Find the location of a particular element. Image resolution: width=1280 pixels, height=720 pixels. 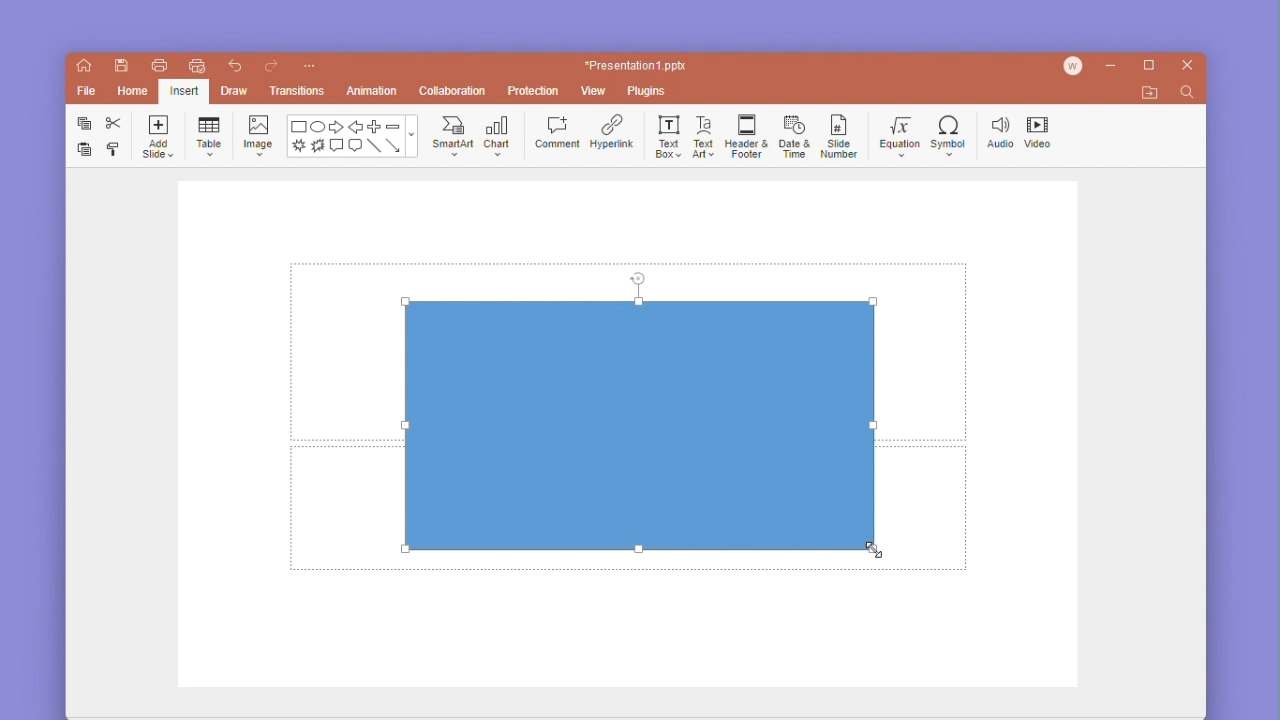

video is located at coordinates (1041, 130).